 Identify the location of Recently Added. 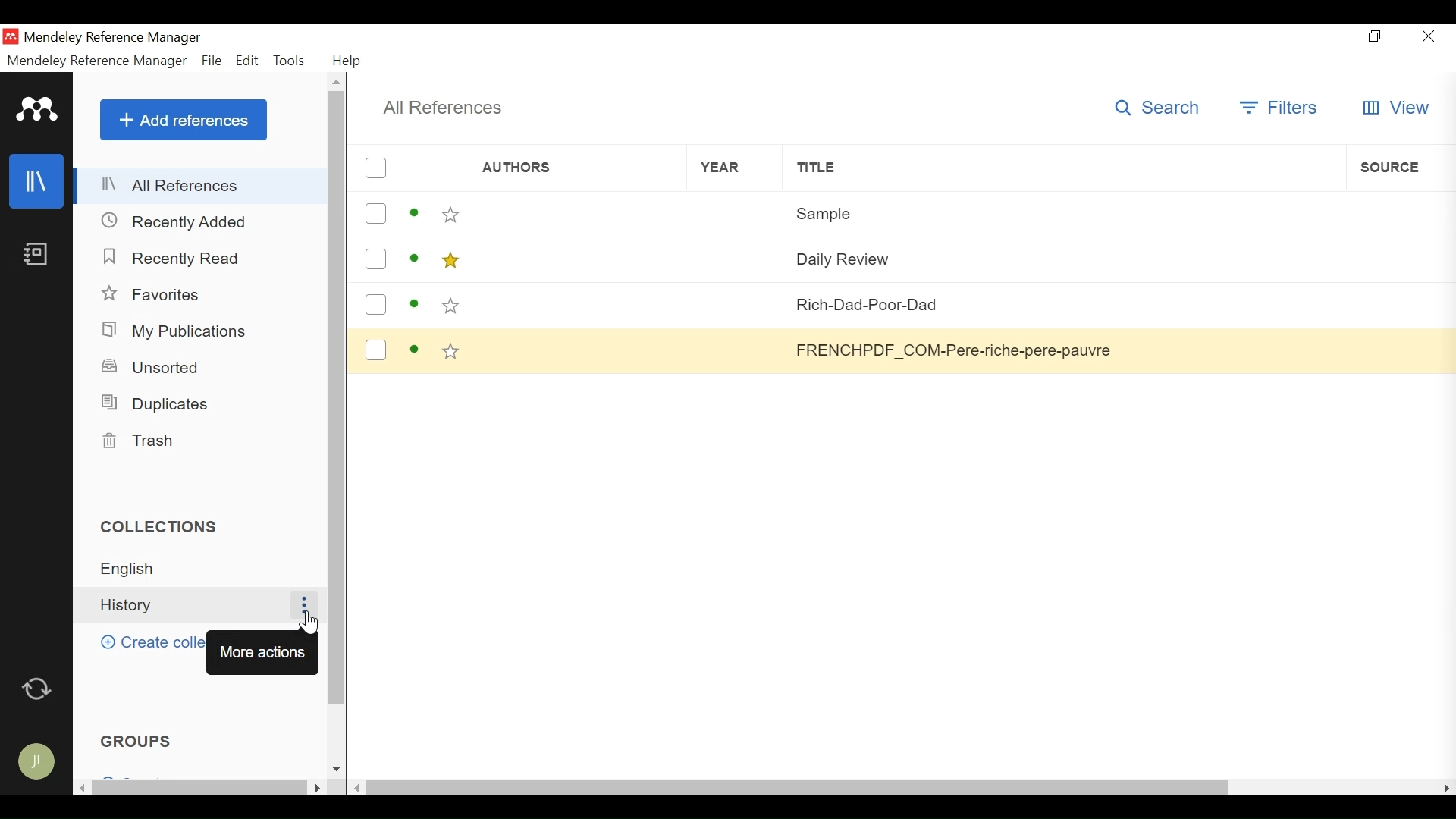
(174, 221).